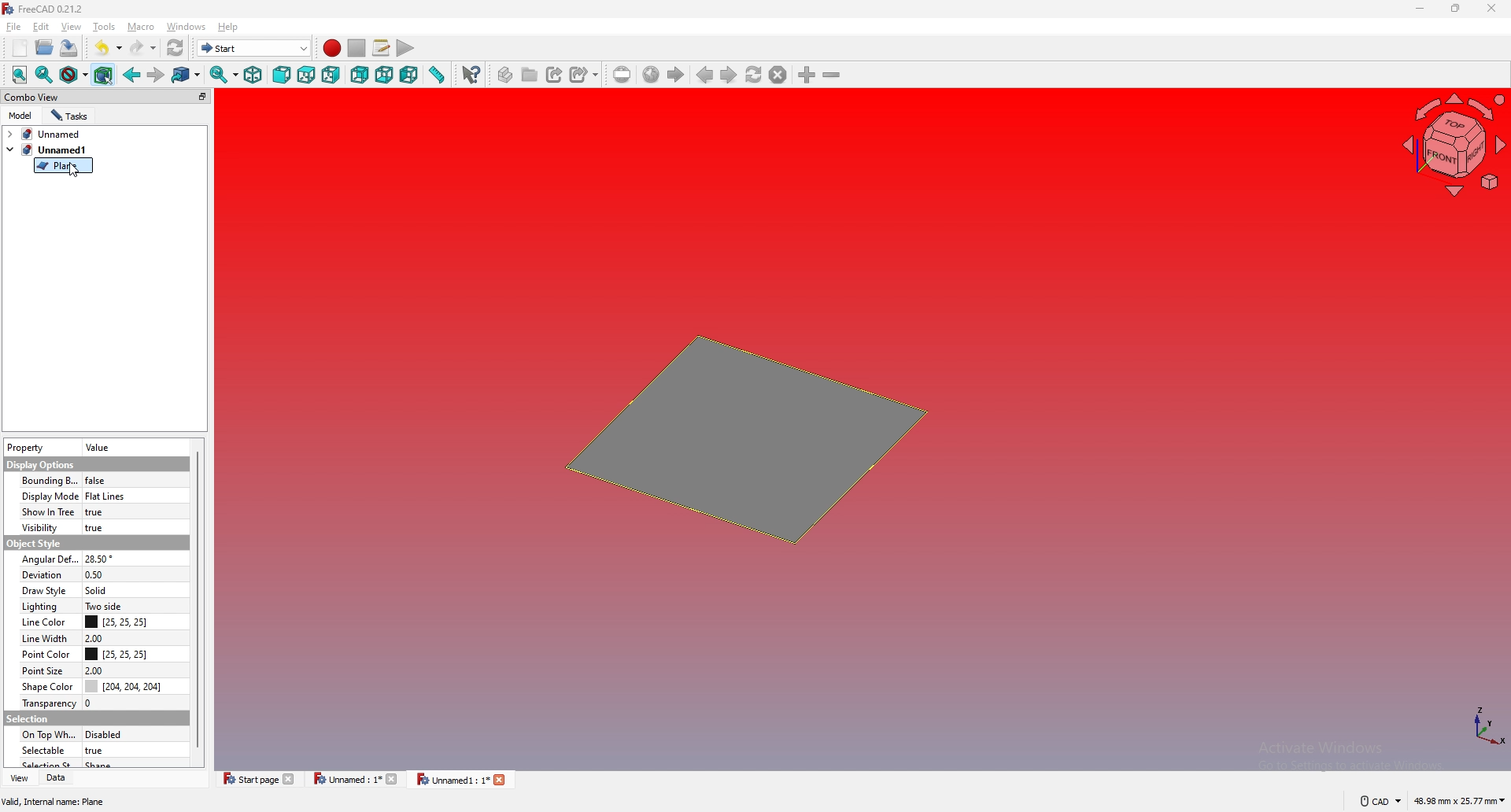  What do you see at coordinates (360, 76) in the screenshot?
I see `rear` at bounding box center [360, 76].